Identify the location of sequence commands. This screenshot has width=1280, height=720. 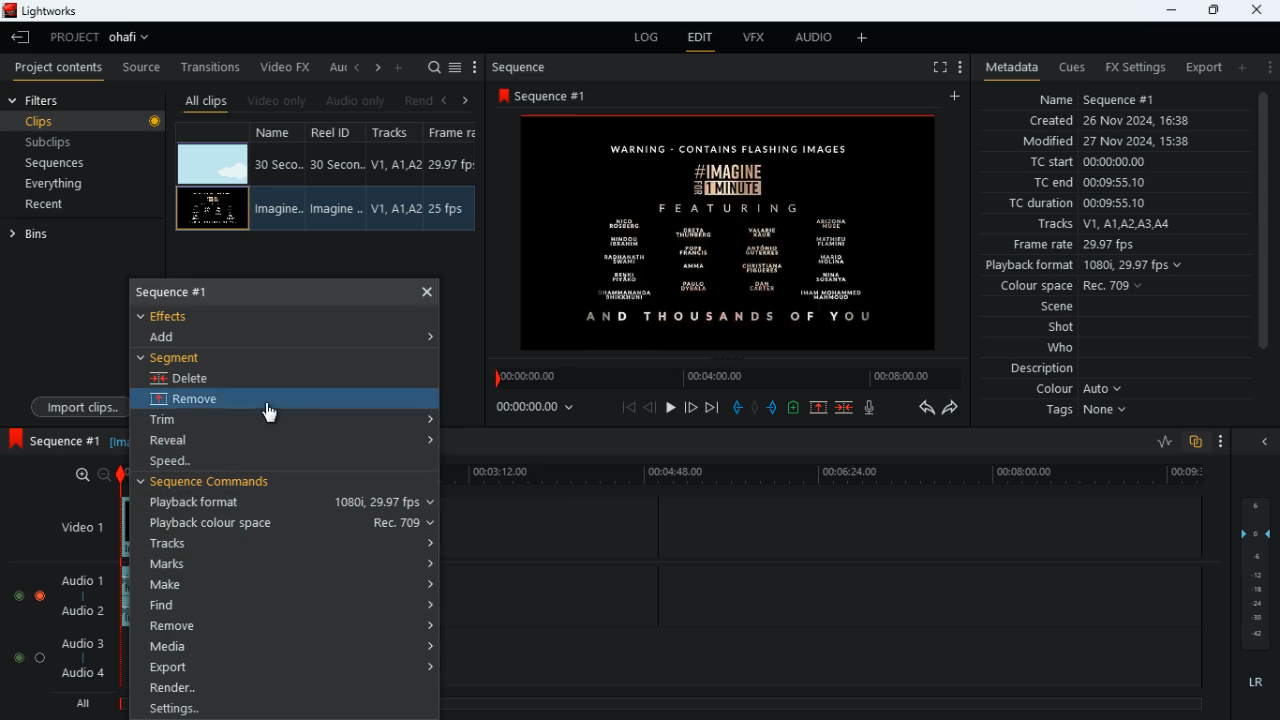
(207, 482).